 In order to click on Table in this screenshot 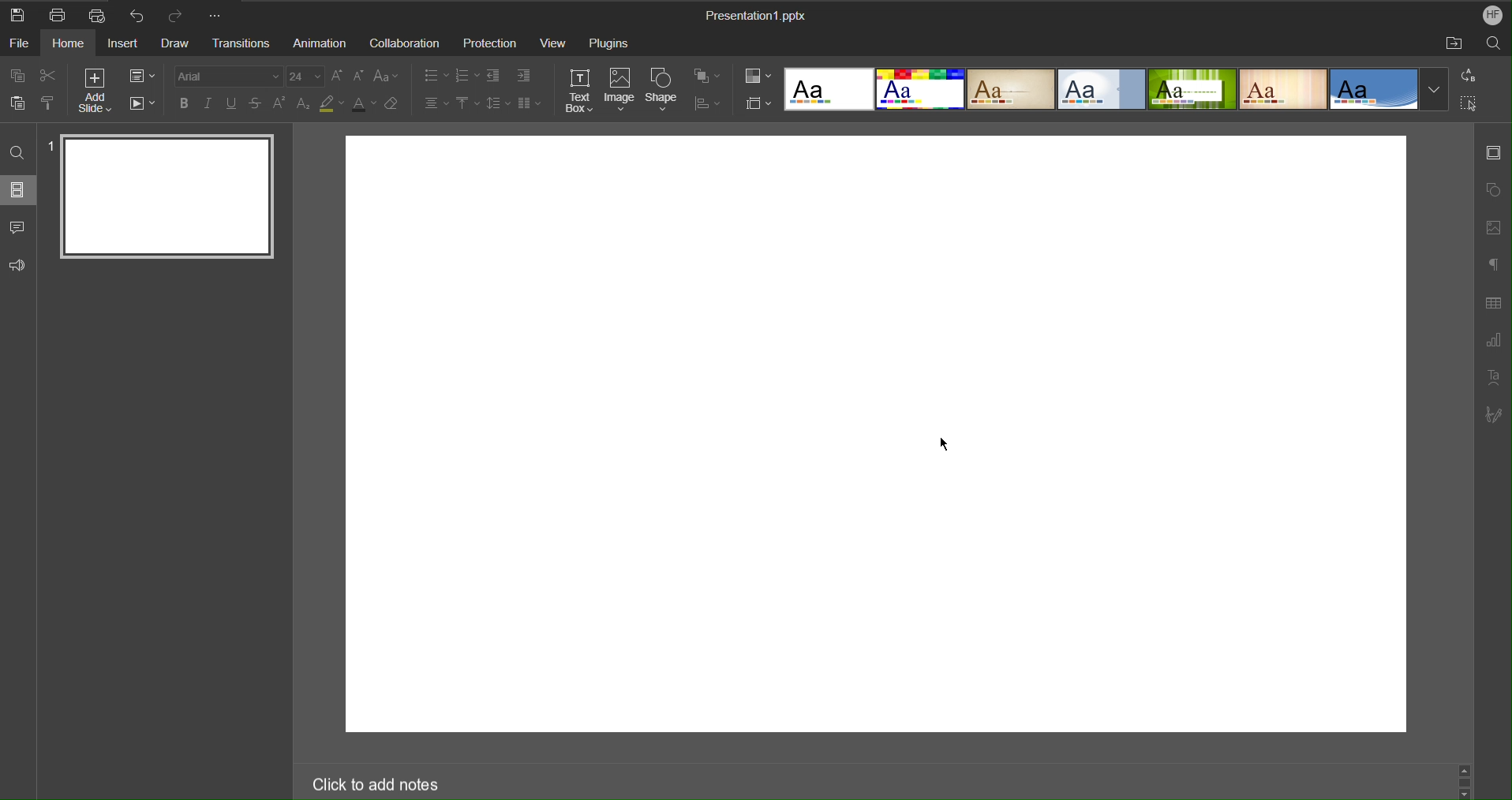, I will do `click(1492, 303)`.